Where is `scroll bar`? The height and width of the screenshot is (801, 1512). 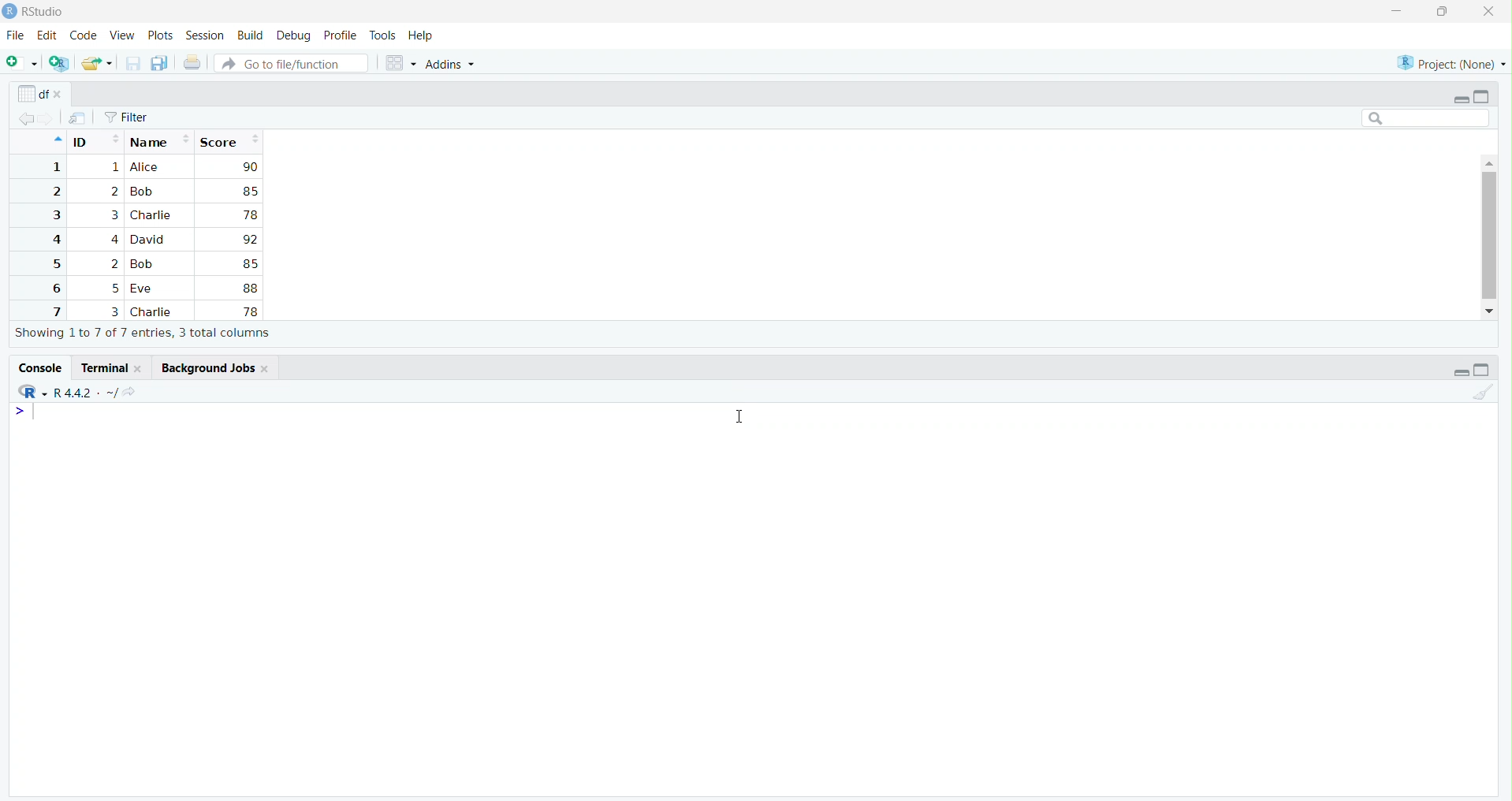 scroll bar is located at coordinates (1488, 235).